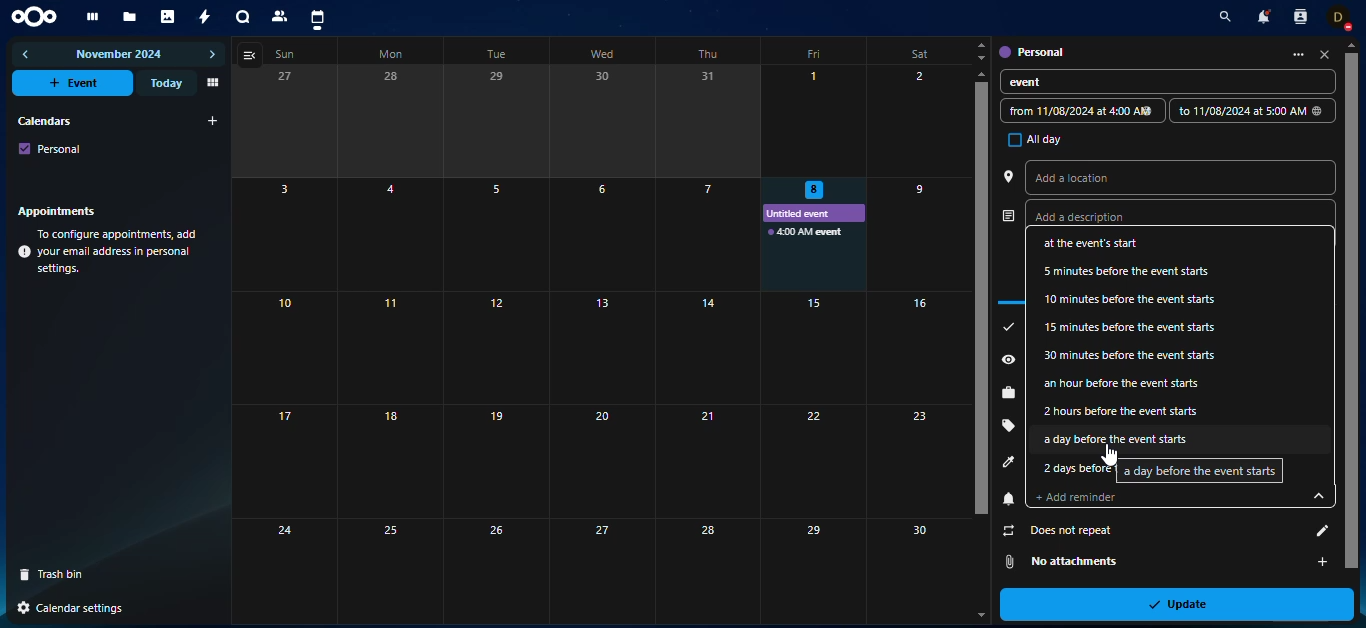 The height and width of the screenshot is (628, 1366). I want to click on photos, so click(169, 17).